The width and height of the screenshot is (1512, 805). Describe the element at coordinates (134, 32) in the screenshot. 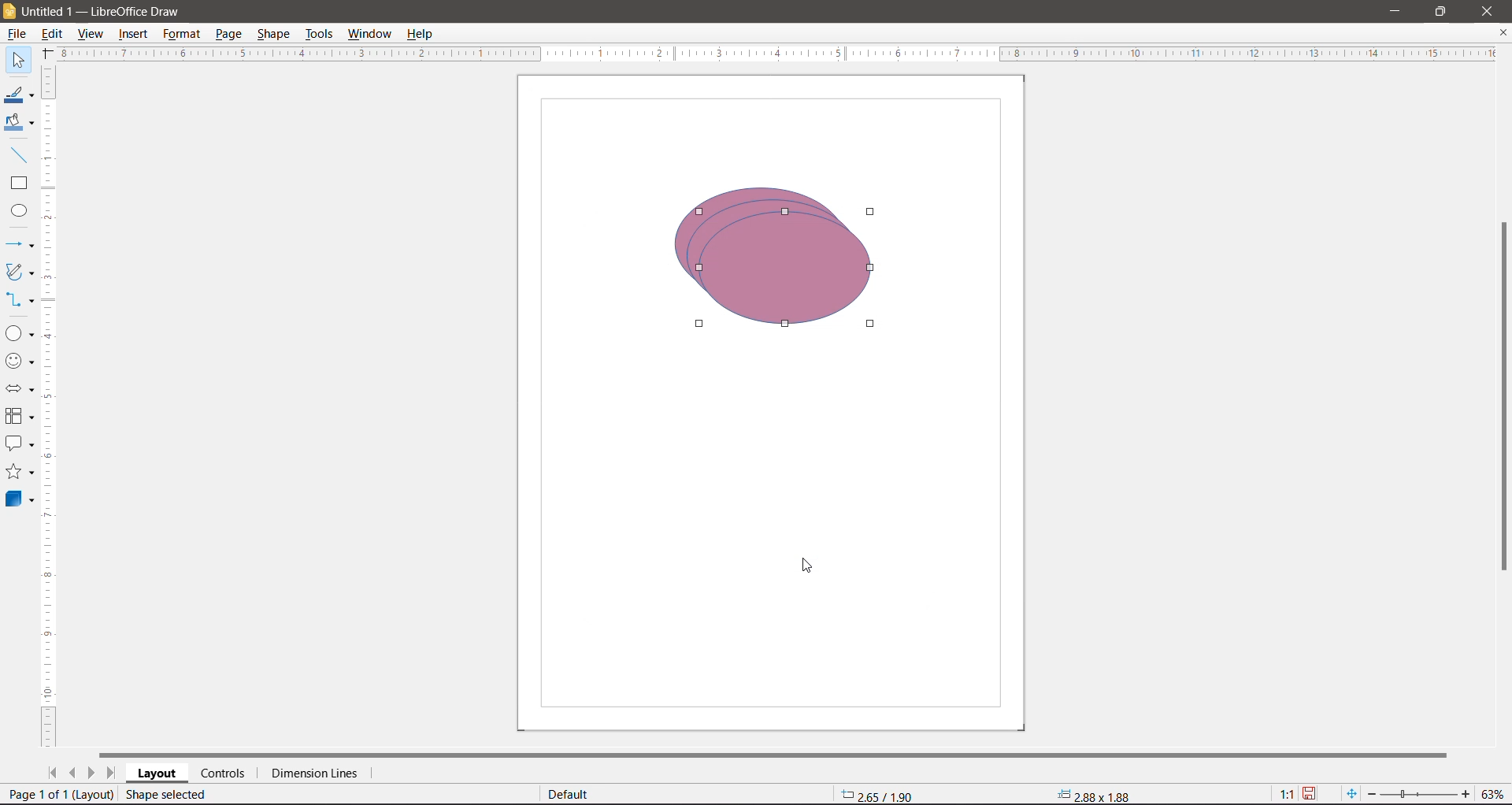

I see `Insert` at that location.